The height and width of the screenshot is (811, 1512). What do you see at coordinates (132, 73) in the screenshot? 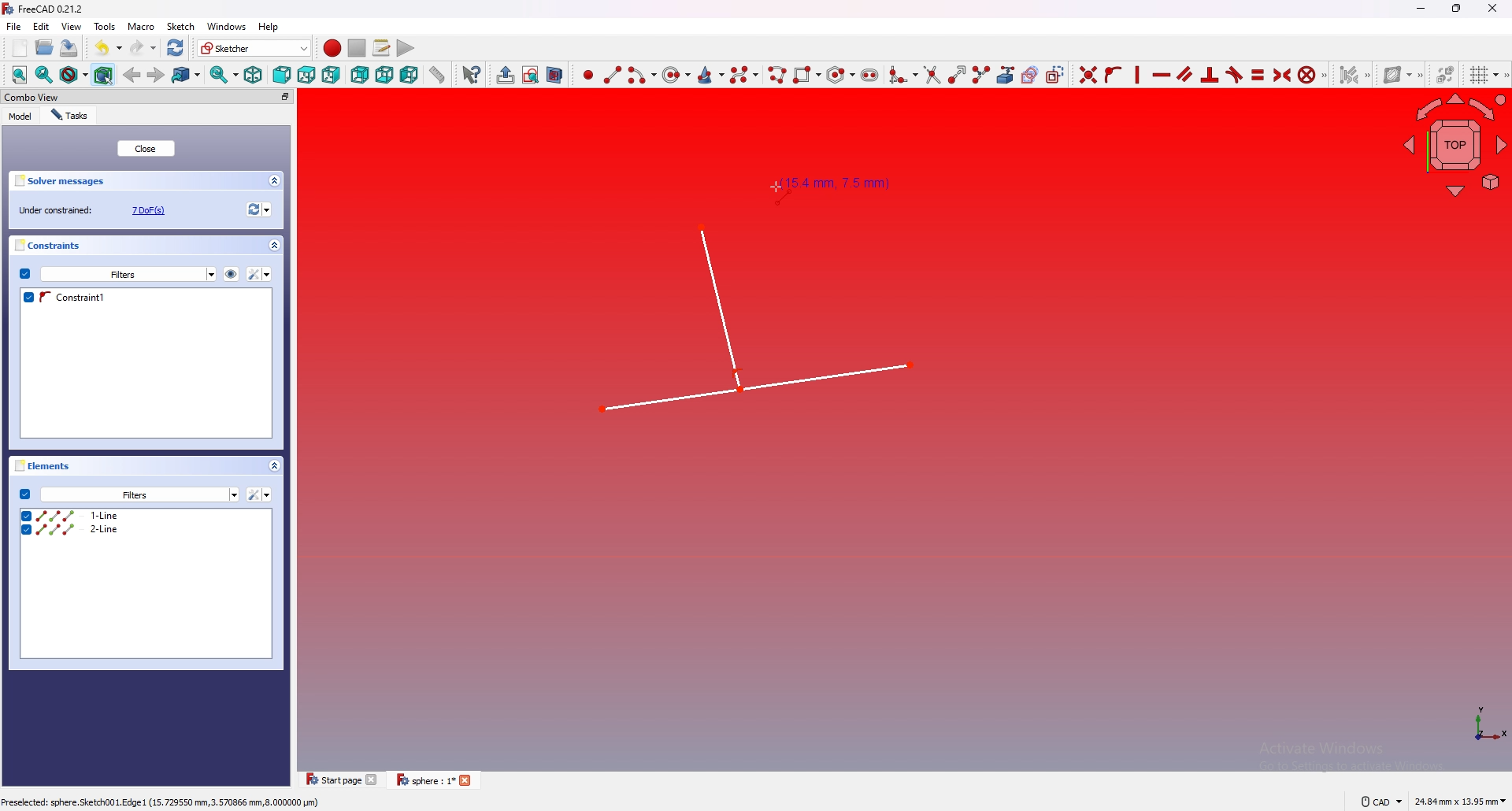
I see `Back` at bounding box center [132, 73].